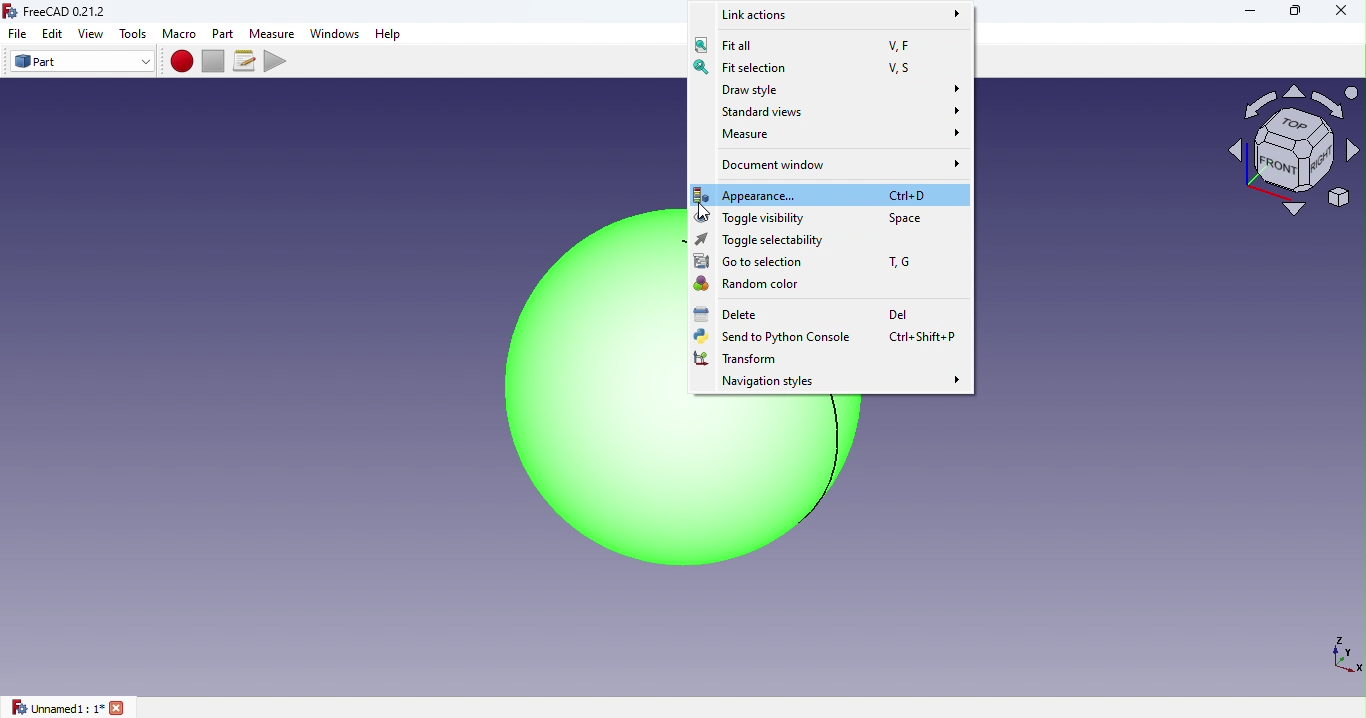 The width and height of the screenshot is (1366, 718). I want to click on Execute Macros, so click(278, 60).